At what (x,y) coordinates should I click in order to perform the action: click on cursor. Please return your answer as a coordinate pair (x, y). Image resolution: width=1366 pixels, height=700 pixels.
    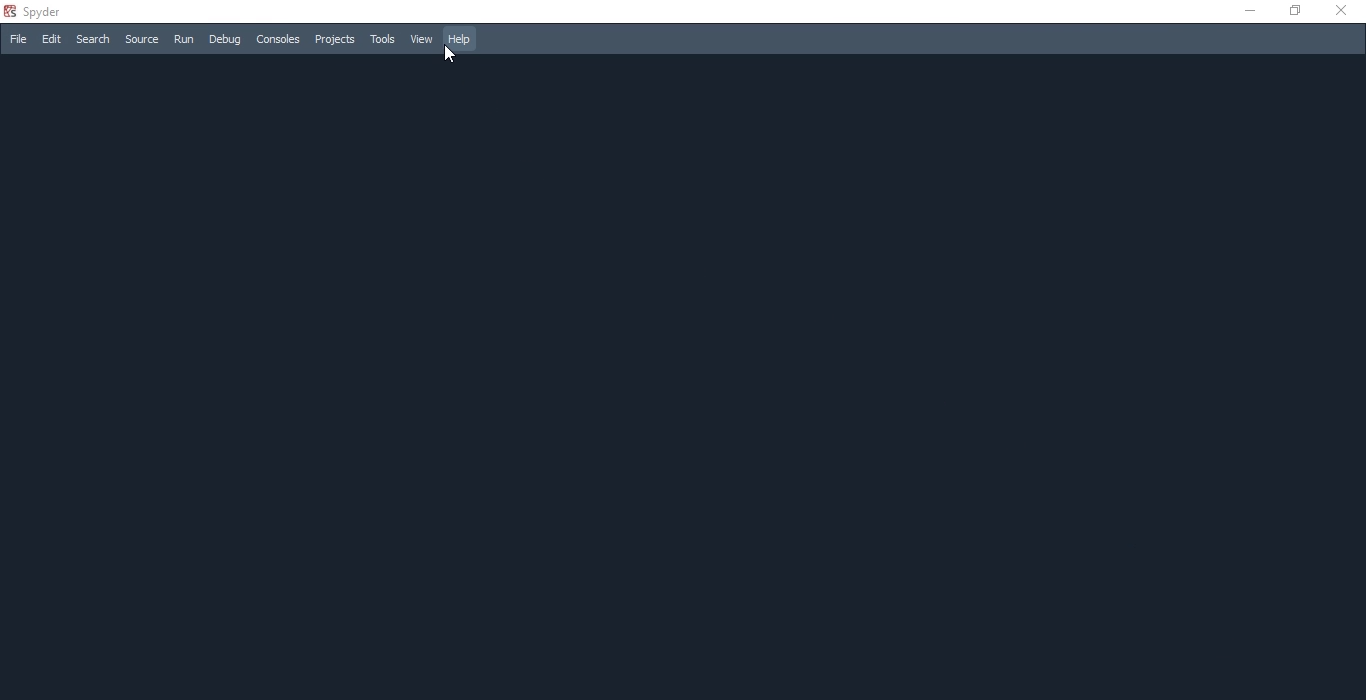
    Looking at the image, I should click on (453, 56).